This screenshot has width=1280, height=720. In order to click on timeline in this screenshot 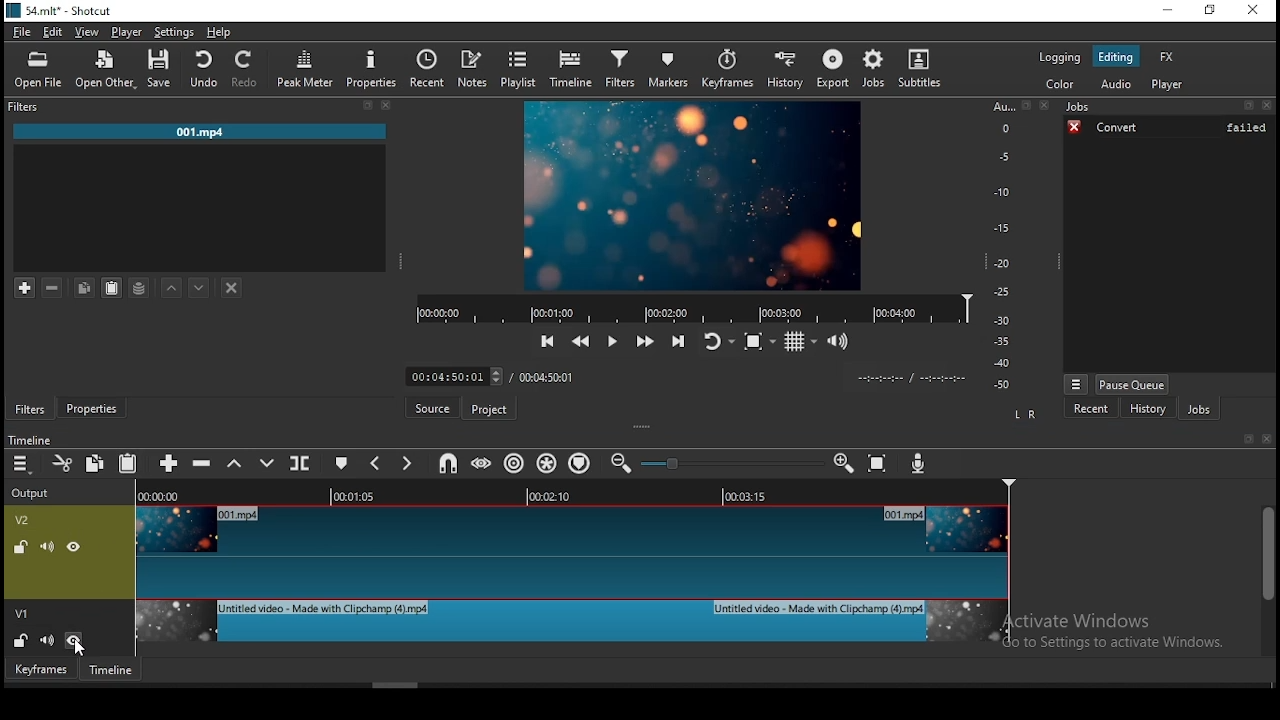, I will do `click(30, 441)`.